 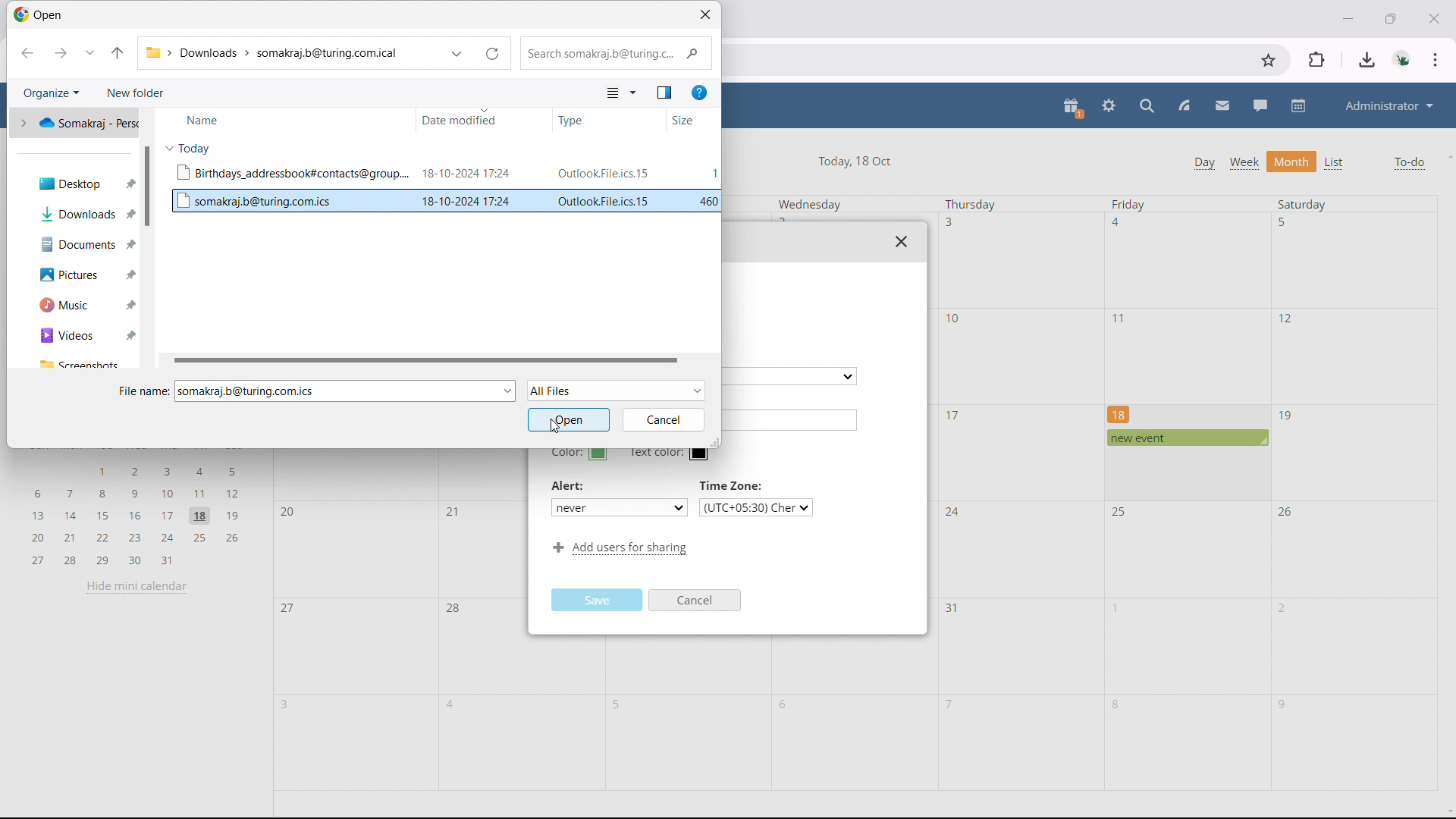 I want to click on 18-10-2024 17:24, so click(x=467, y=200).